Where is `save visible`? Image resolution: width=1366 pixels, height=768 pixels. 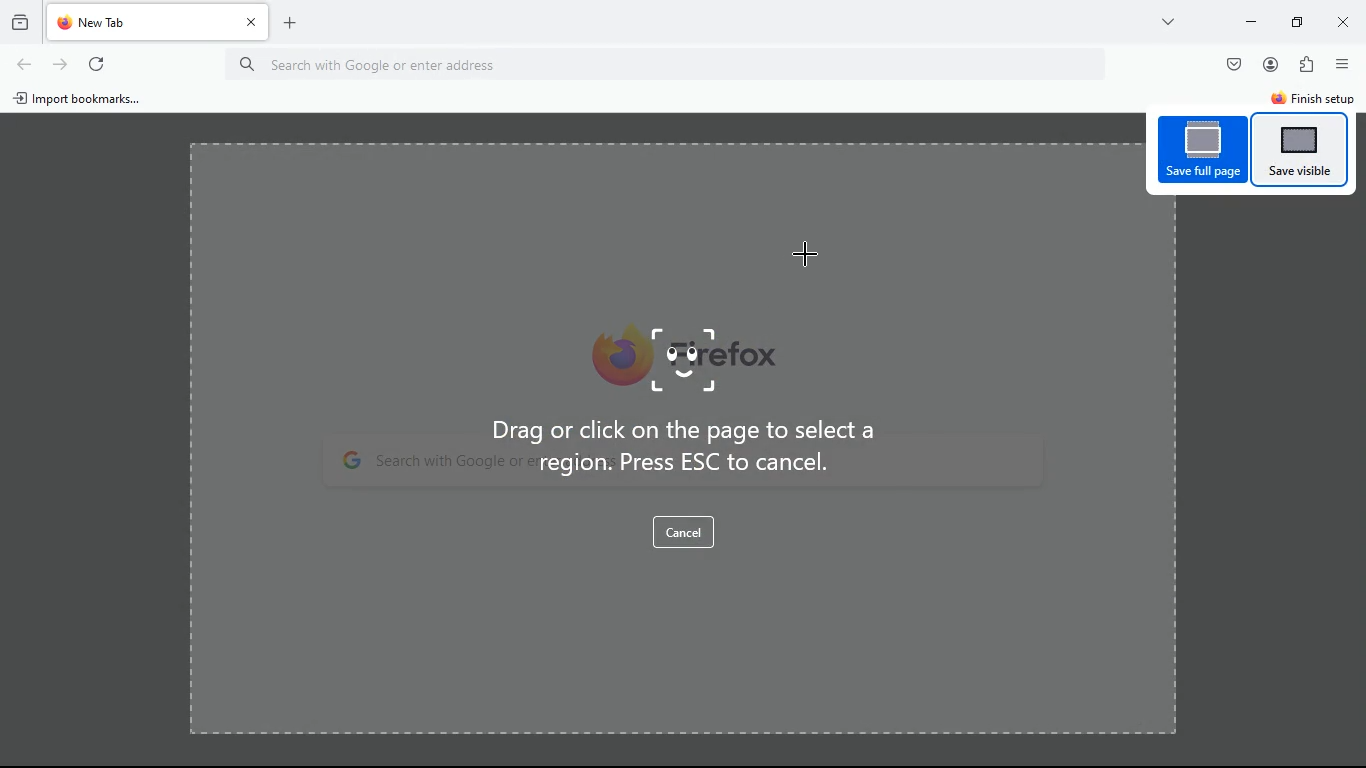 save visible is located at coordinates (1301, 149).